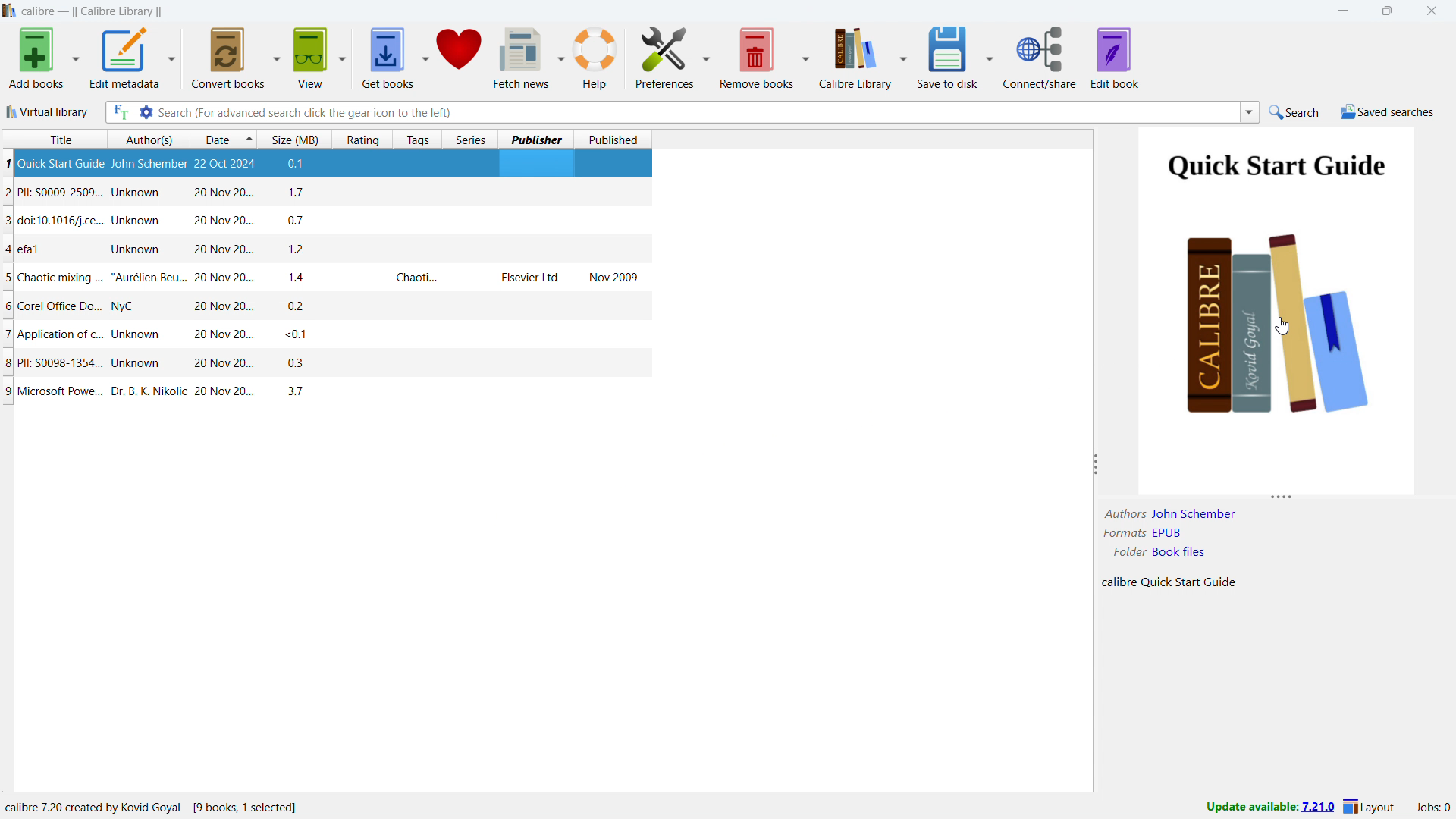 The width and height of the screenshot is (1456, 819). What do you see at coordinates (1128, 551) in the screenshot?
I see `Folder` at bounding box center [1128, 551].